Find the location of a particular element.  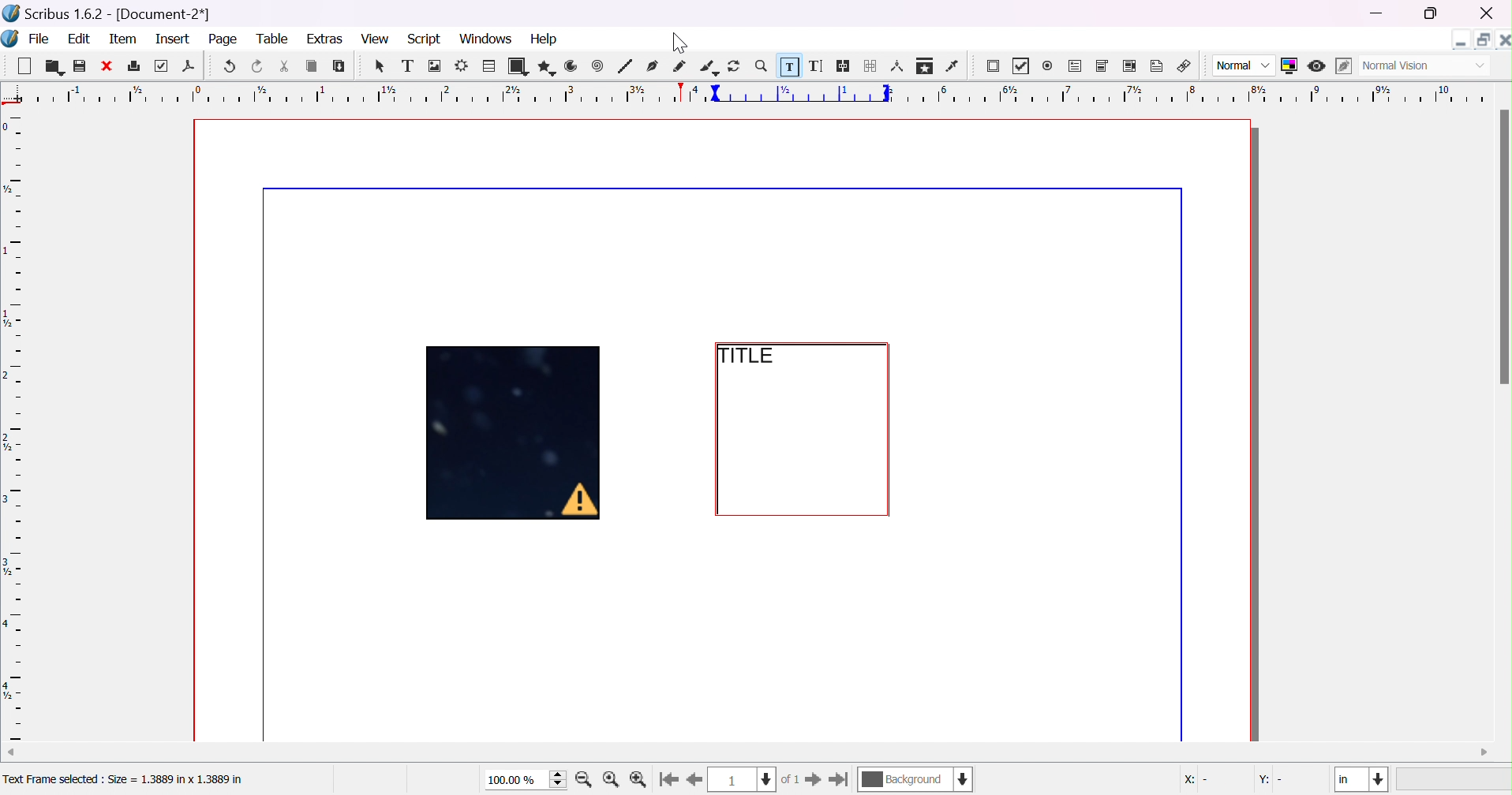

toggle color management system is located at coordinates (1290, 65).